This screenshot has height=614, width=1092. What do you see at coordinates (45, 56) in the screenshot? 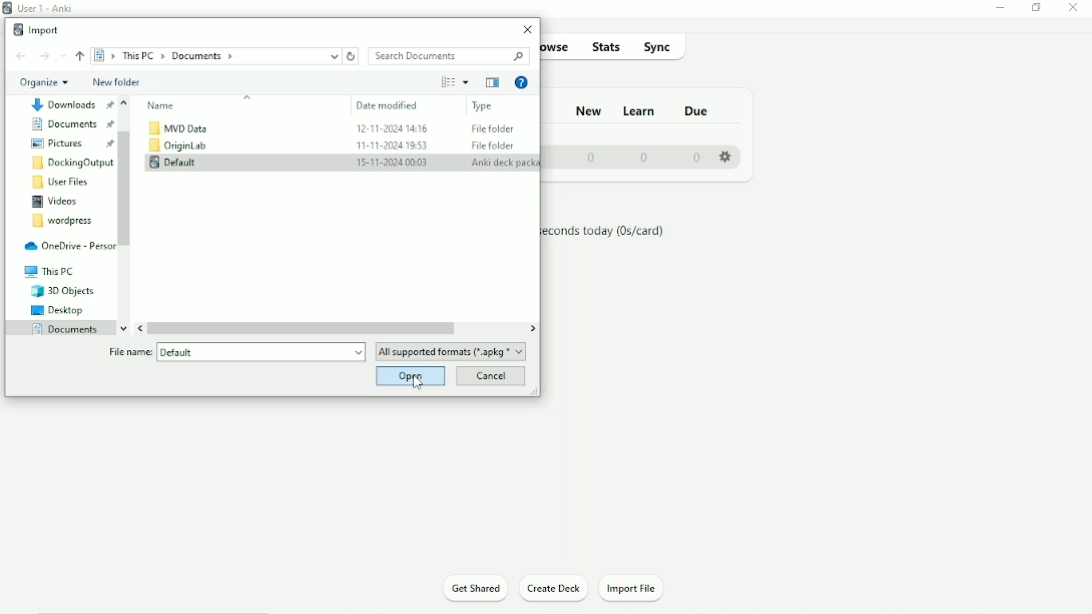
I see `Forward` at bounding box center [45, 56].